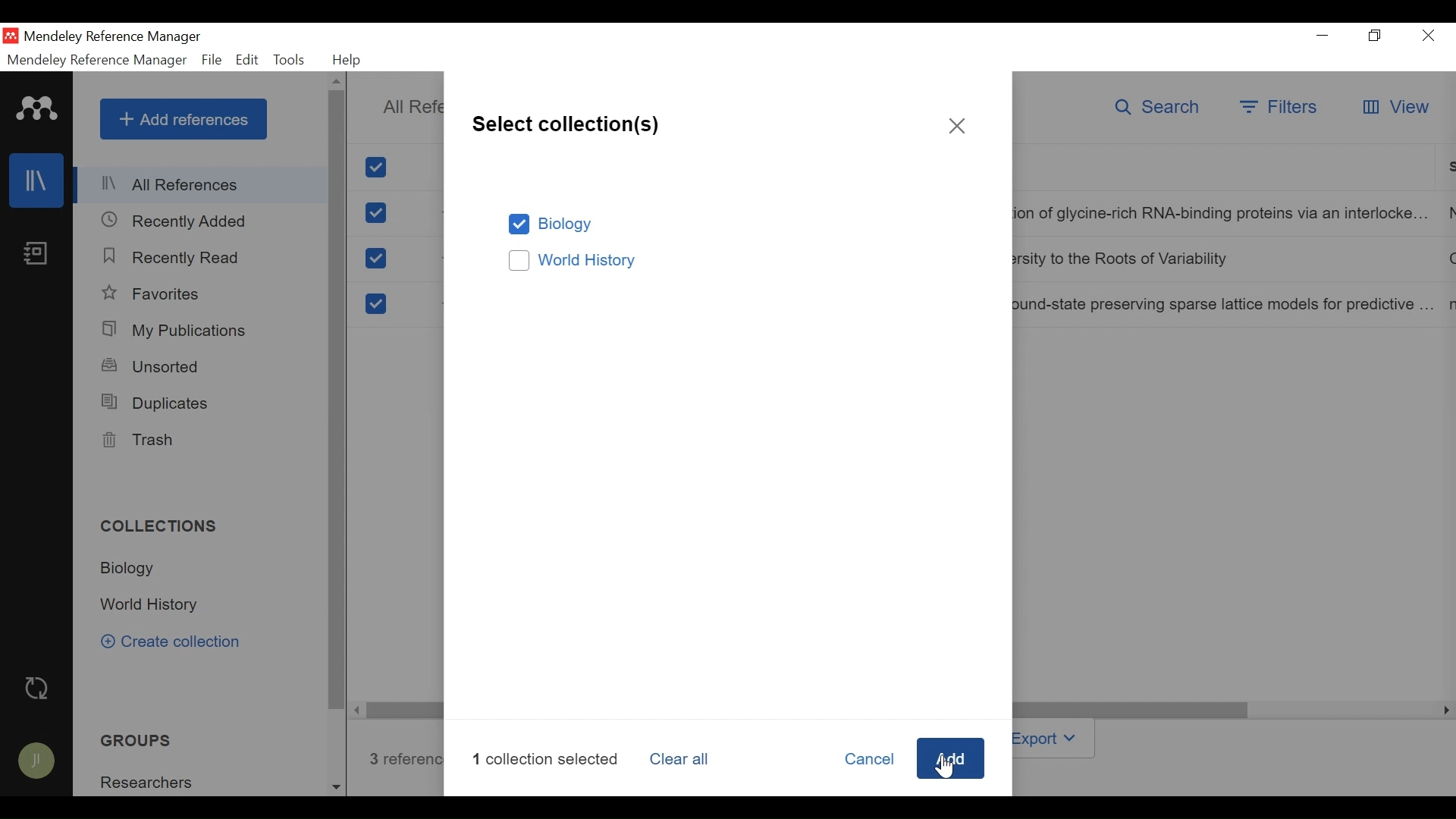  Describe the element at coordinates (175, 258) in the screenshot. I see `Recently Read` at that location.